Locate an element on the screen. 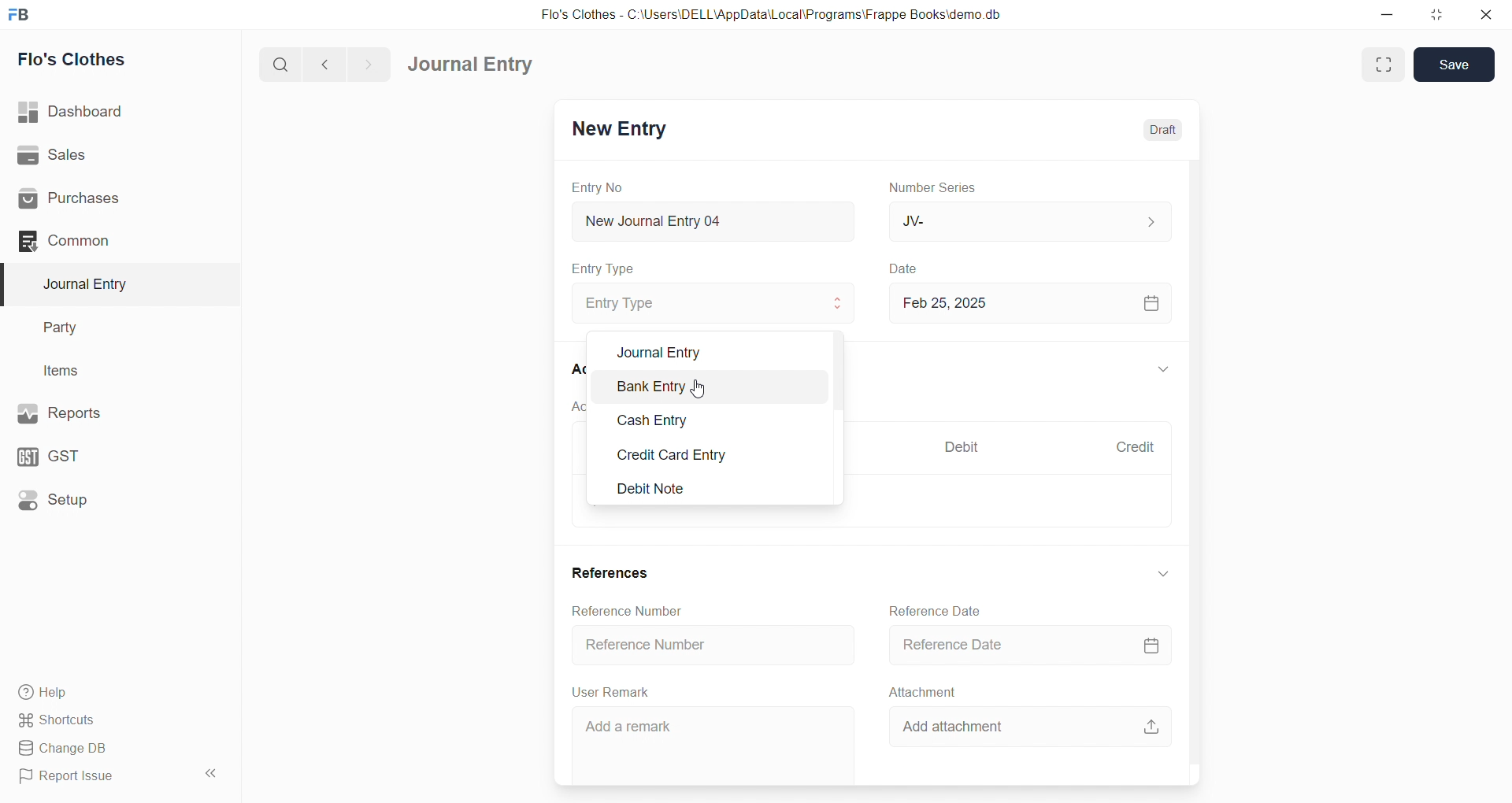 This screenshot has height=803, width=1512. Save is located at coordinates (1456, 65).